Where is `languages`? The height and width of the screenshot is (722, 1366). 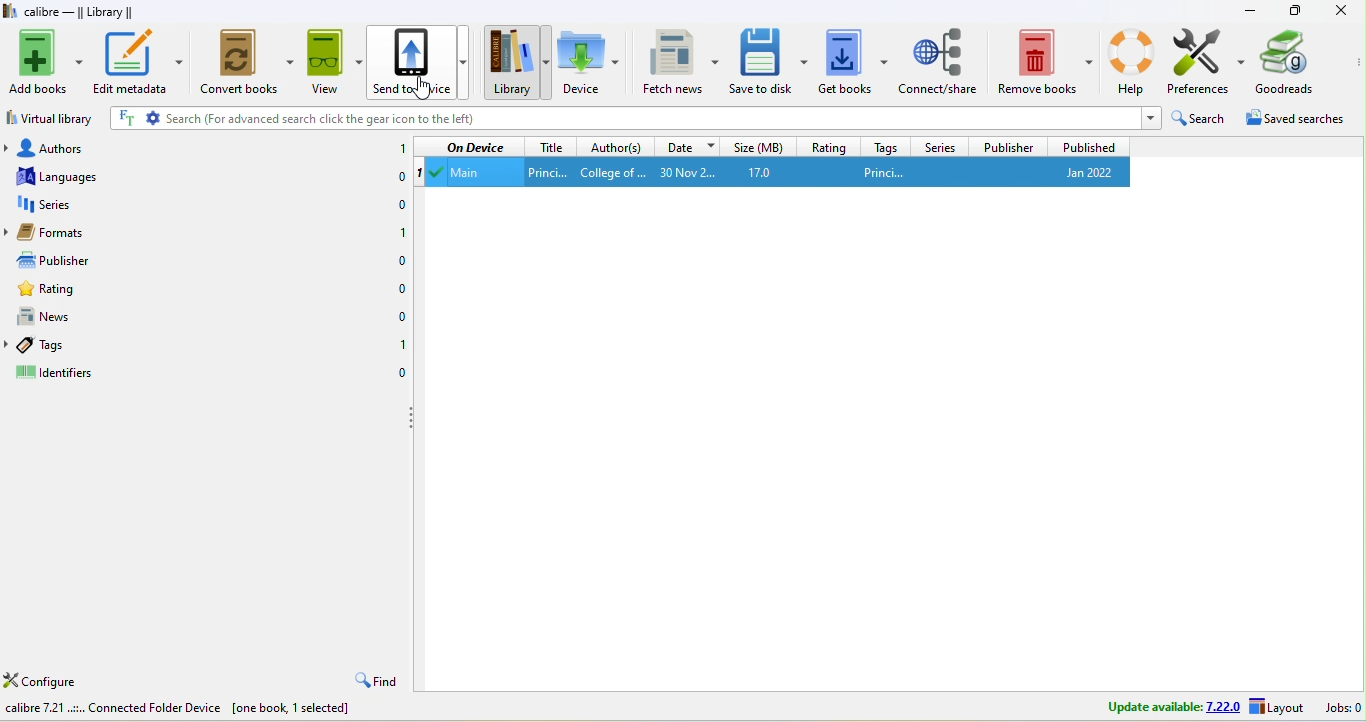
languages is located at coordinates (177, 175).